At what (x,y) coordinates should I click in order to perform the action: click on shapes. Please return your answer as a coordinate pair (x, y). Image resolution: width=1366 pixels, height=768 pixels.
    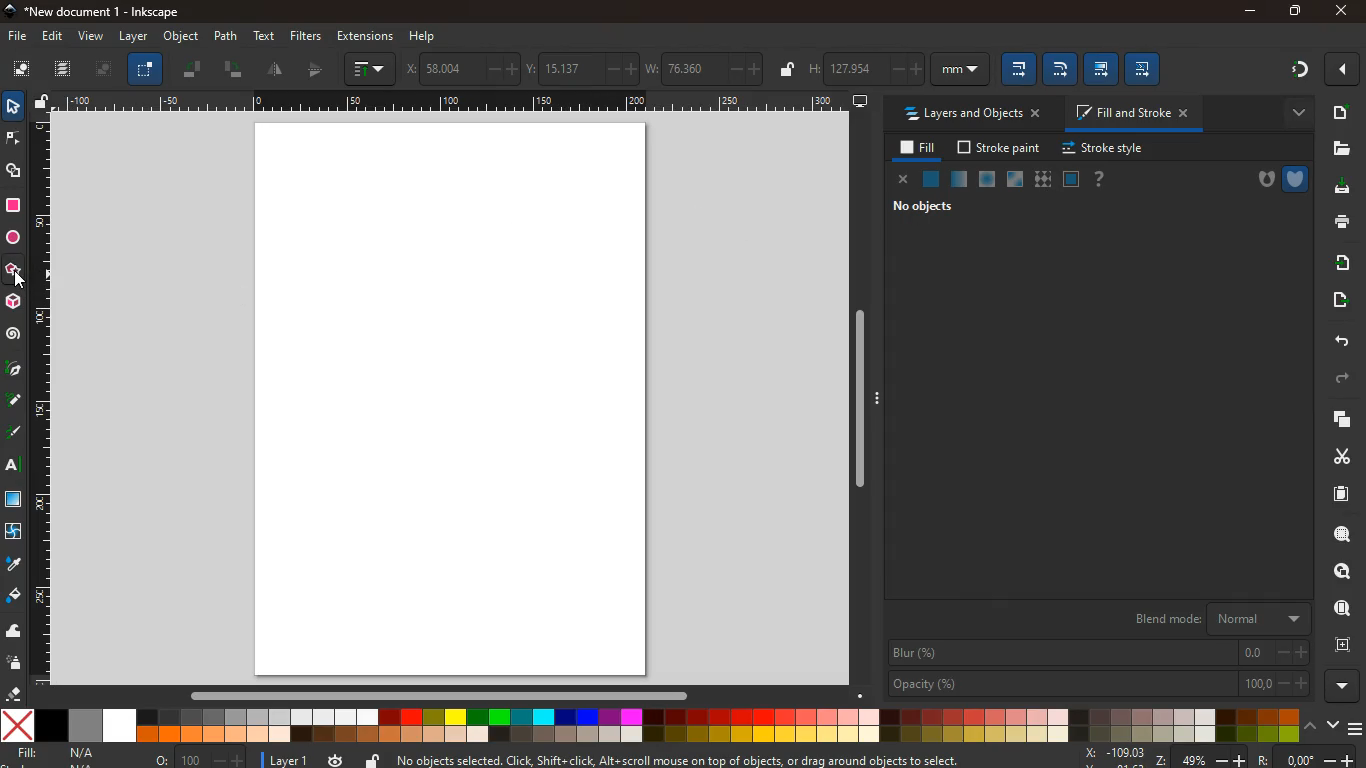
    Looking at the image, I should click on (14, 173).